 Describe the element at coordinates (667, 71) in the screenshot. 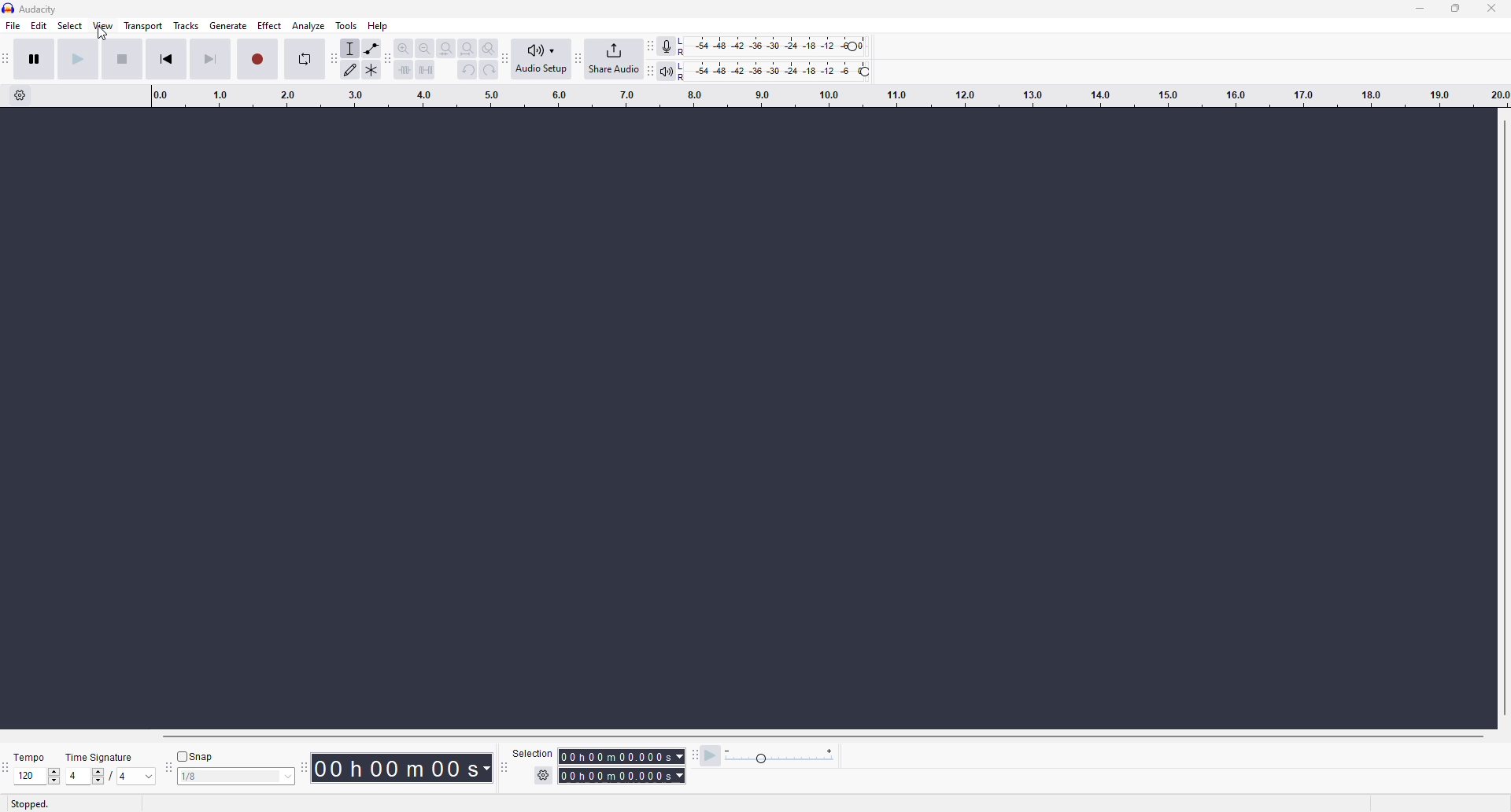

I see `playback meter` at that location.